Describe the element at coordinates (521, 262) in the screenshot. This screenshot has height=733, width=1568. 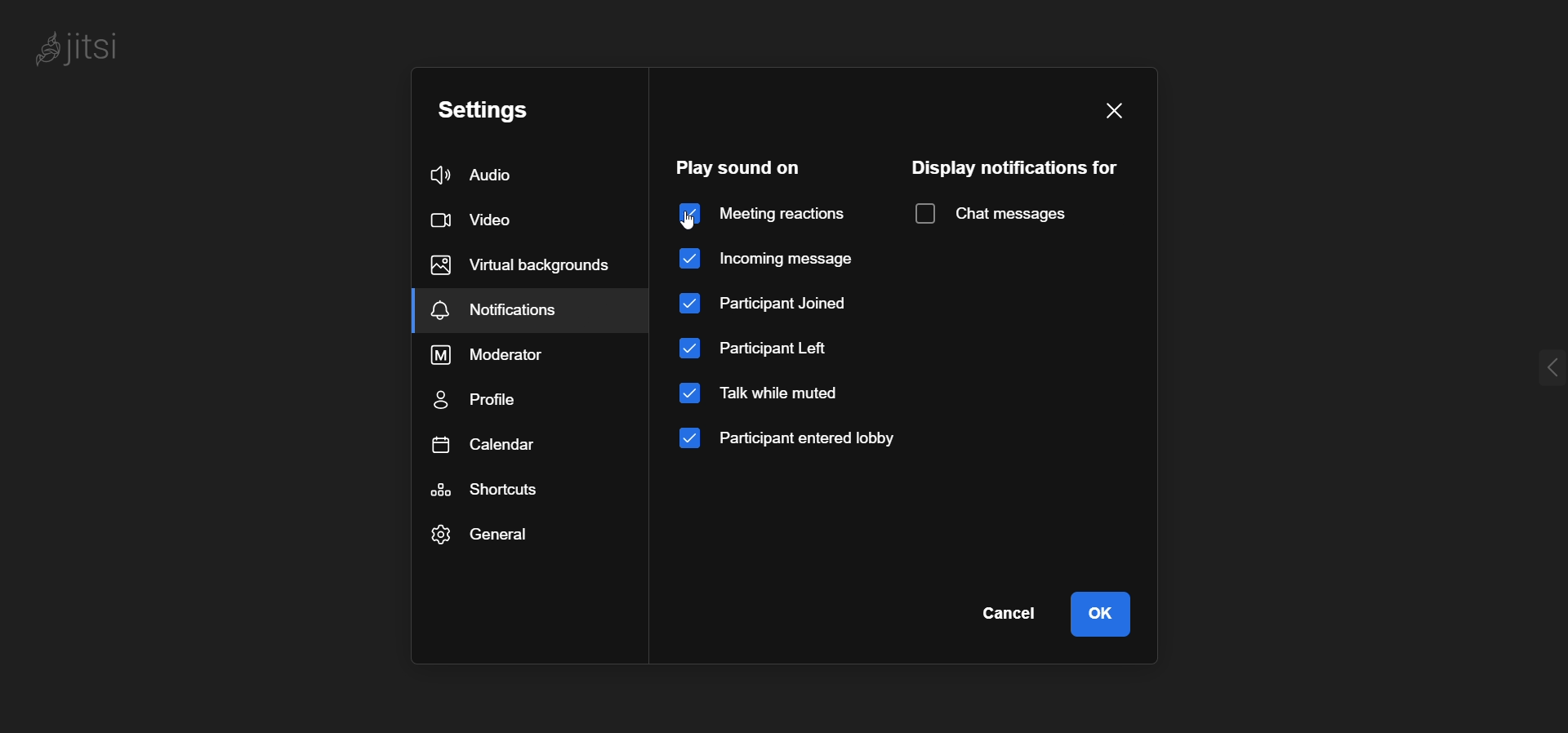
I see `virtual background` at that location.